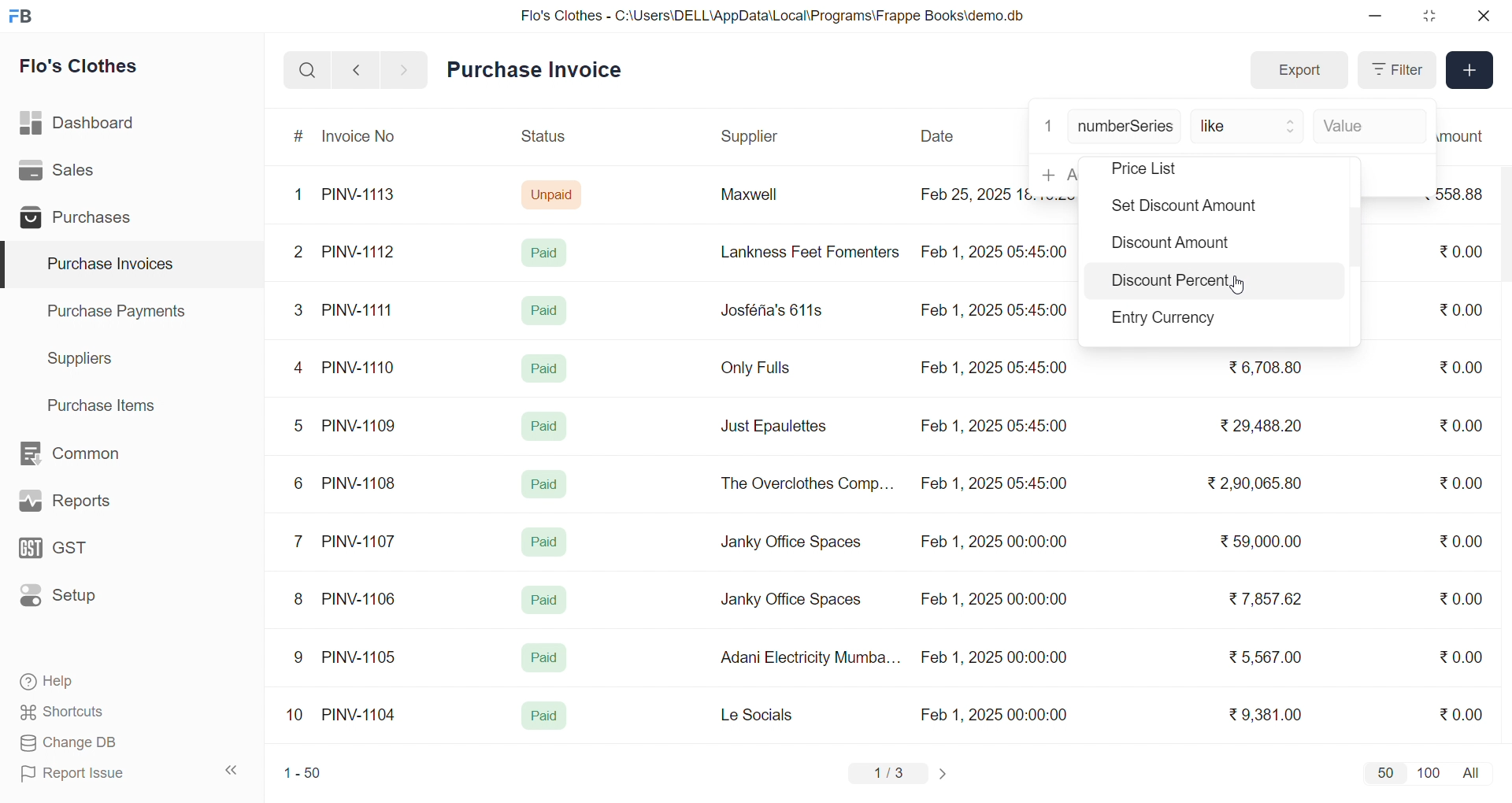 Image resolution: width=1512 pixels, height=803 pixels. I want to click on Add, so click(1470, 71).